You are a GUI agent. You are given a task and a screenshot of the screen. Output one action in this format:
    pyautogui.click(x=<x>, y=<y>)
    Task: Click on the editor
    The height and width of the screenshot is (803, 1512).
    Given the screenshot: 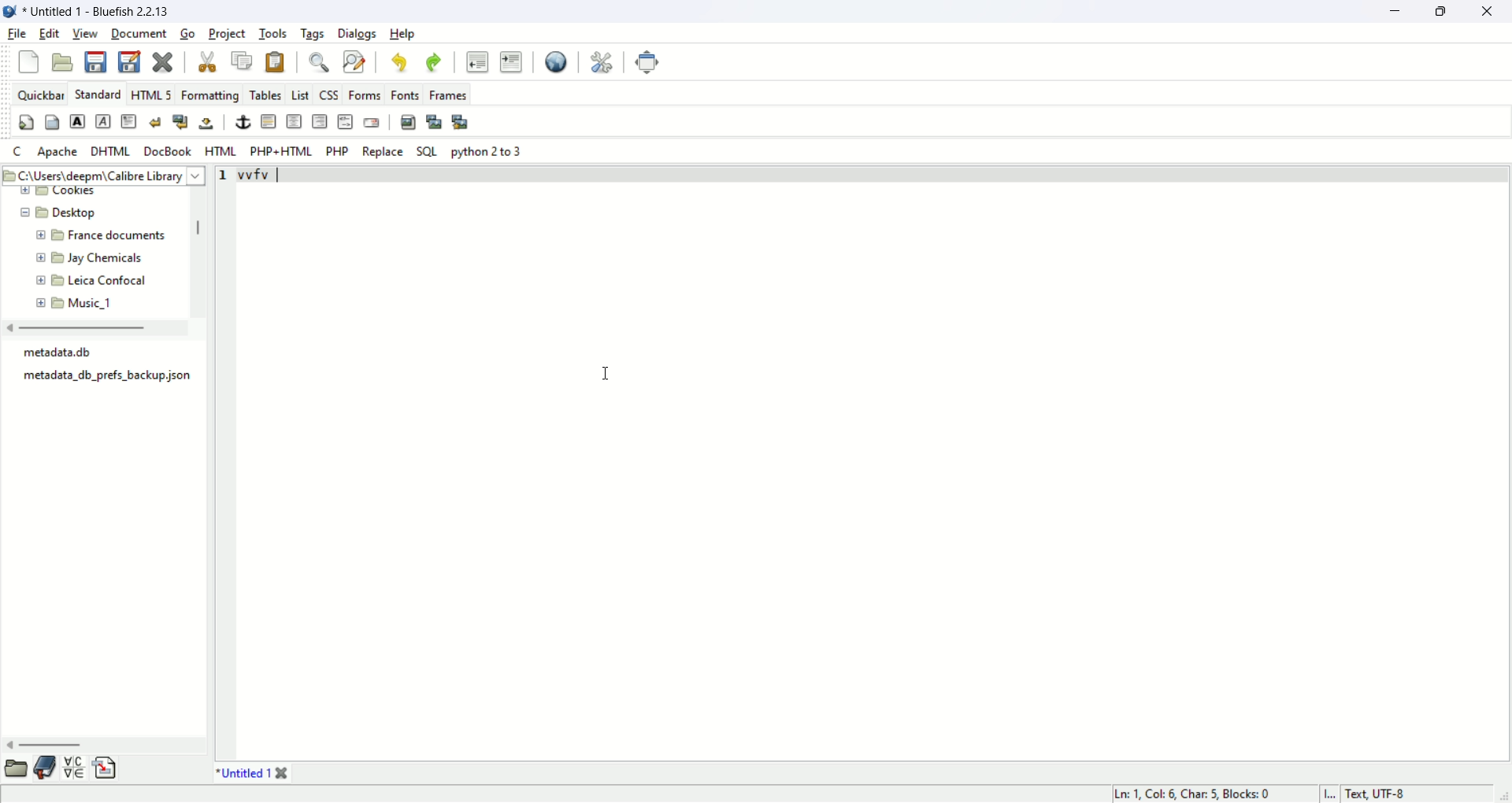 What is the action you would take?
    pyautogui.click(x=875, y=465)
    